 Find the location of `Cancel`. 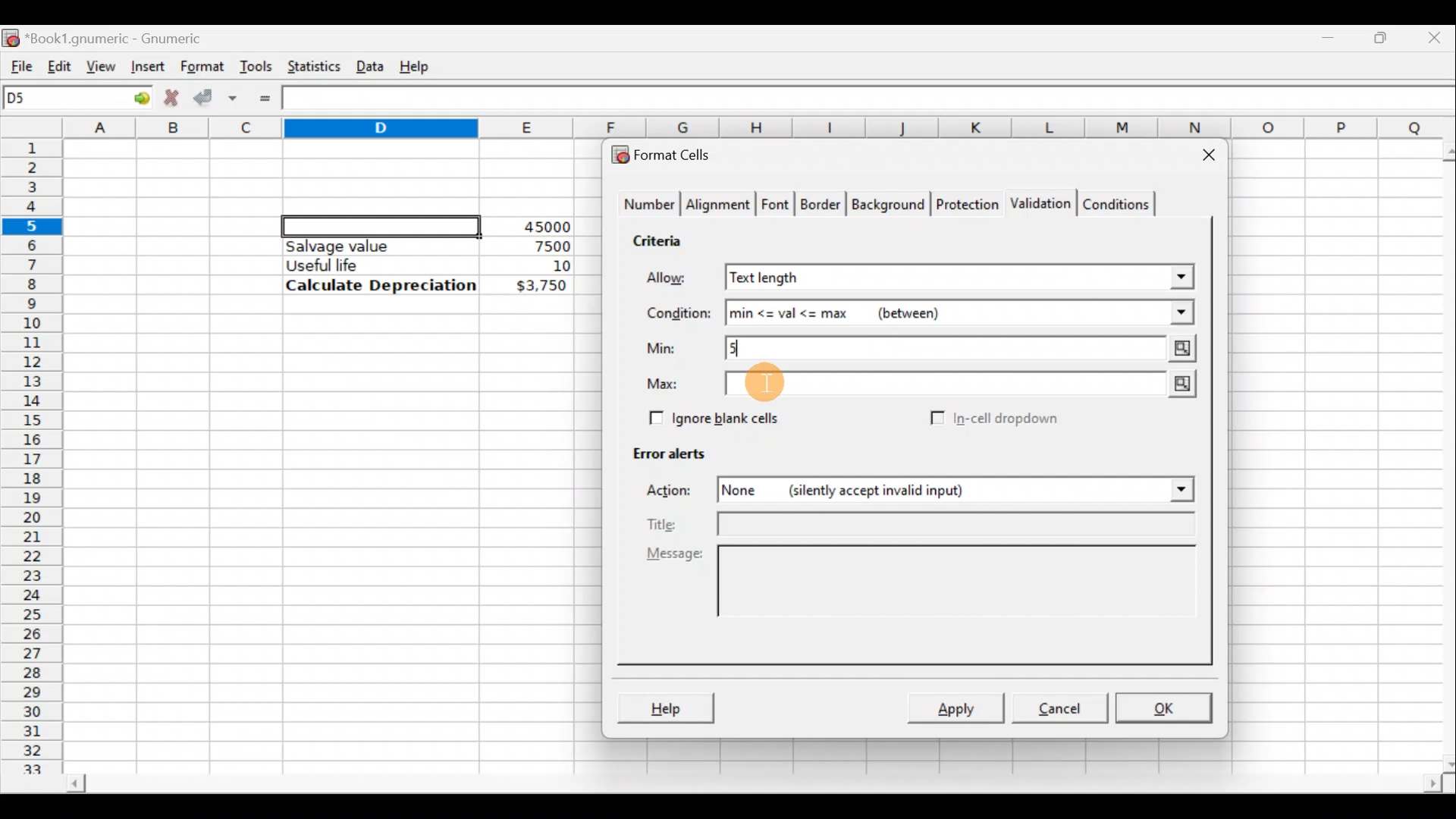

Cancel is located at coordinates (1057, 707).